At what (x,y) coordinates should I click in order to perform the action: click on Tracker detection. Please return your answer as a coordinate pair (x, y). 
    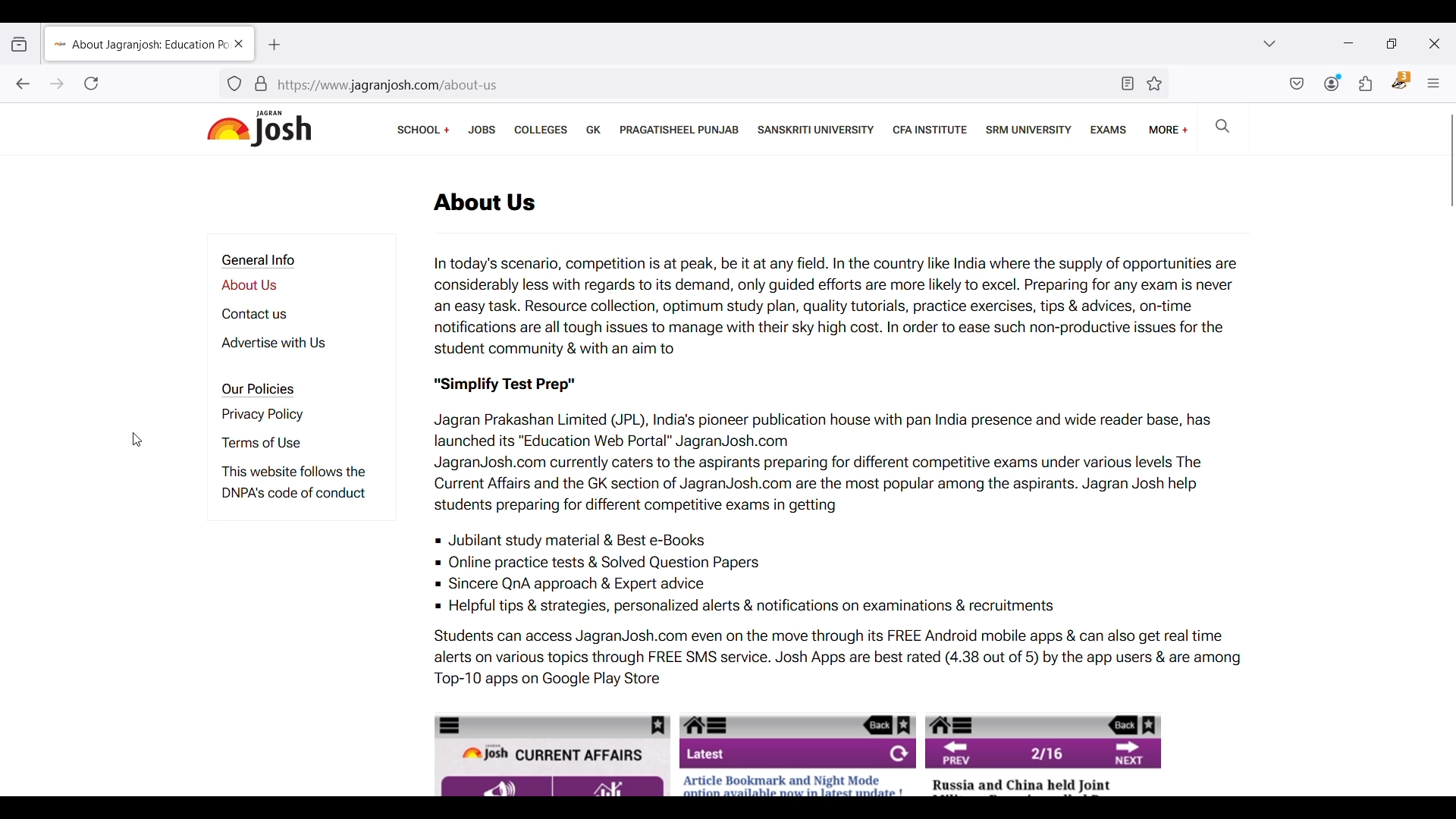
    Looking at the image, I should click on (234, 83).